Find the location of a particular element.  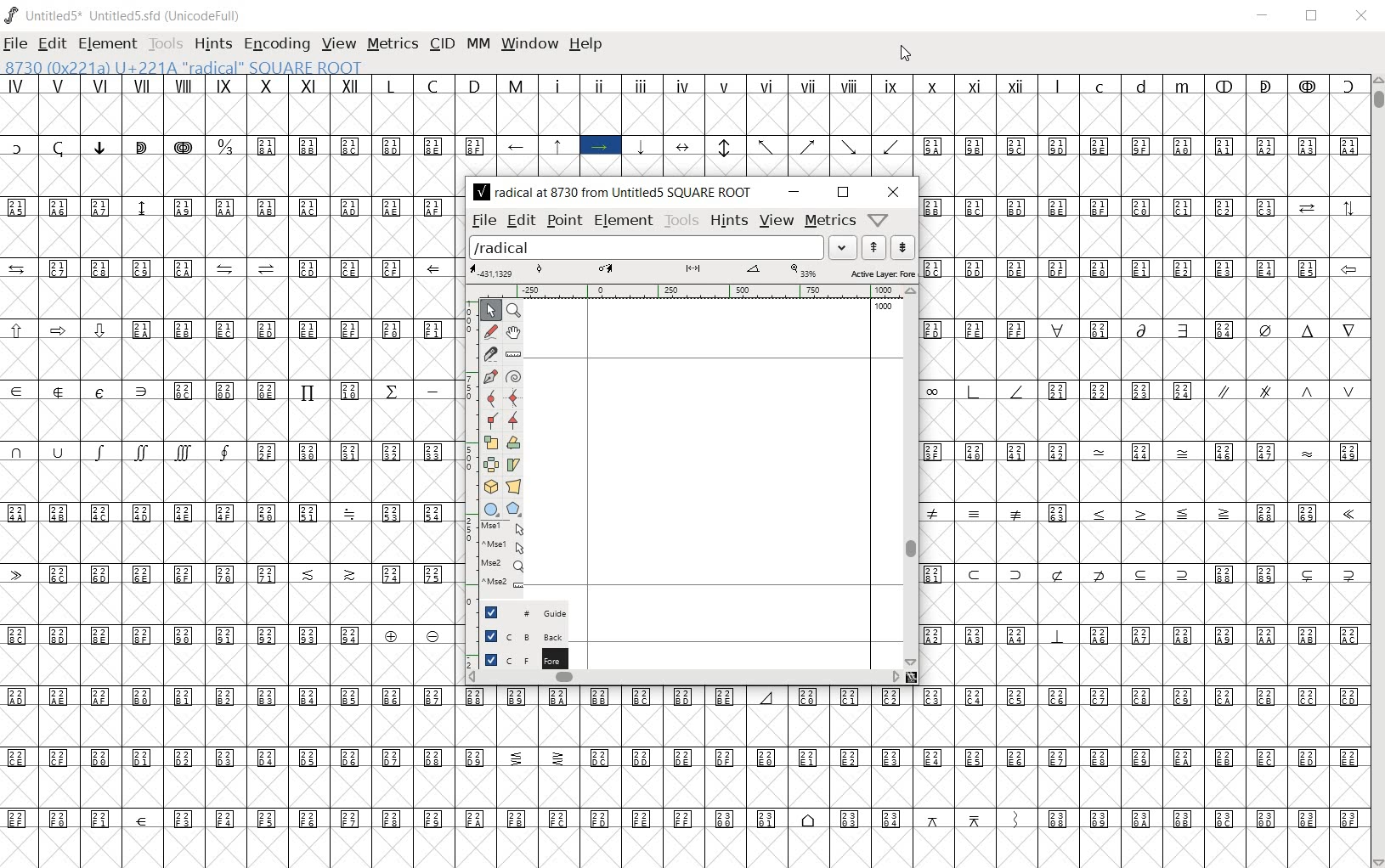

hints is located at coordinates (726, 220).